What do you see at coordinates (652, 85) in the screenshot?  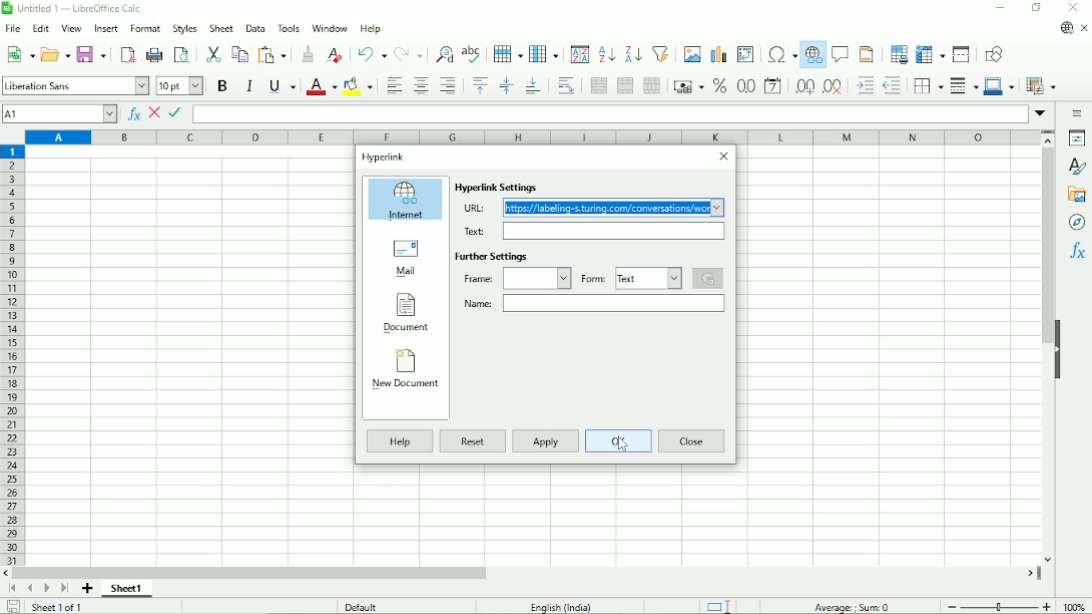 I see `Unmerge cells` at bounding box center [652, 85].